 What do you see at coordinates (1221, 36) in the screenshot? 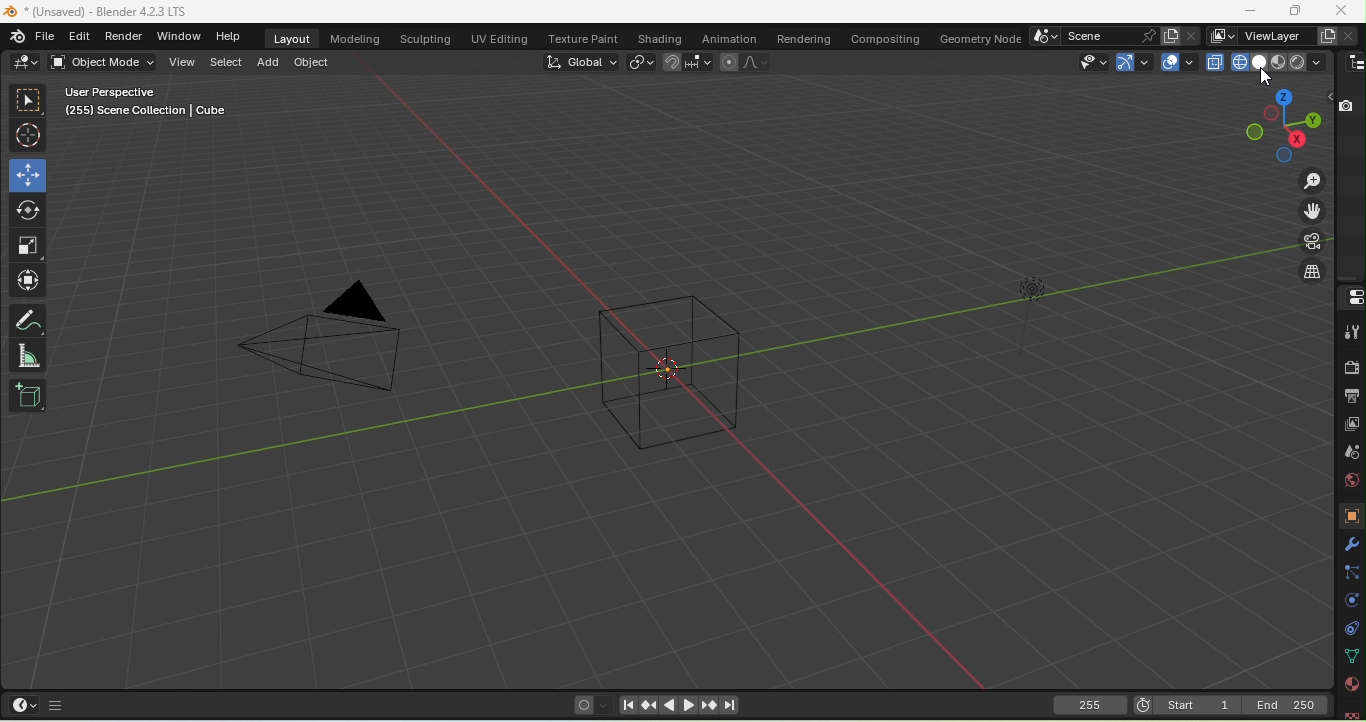
I see `The active workspace view layer showing in the window` at bounding box center [1221, 36].